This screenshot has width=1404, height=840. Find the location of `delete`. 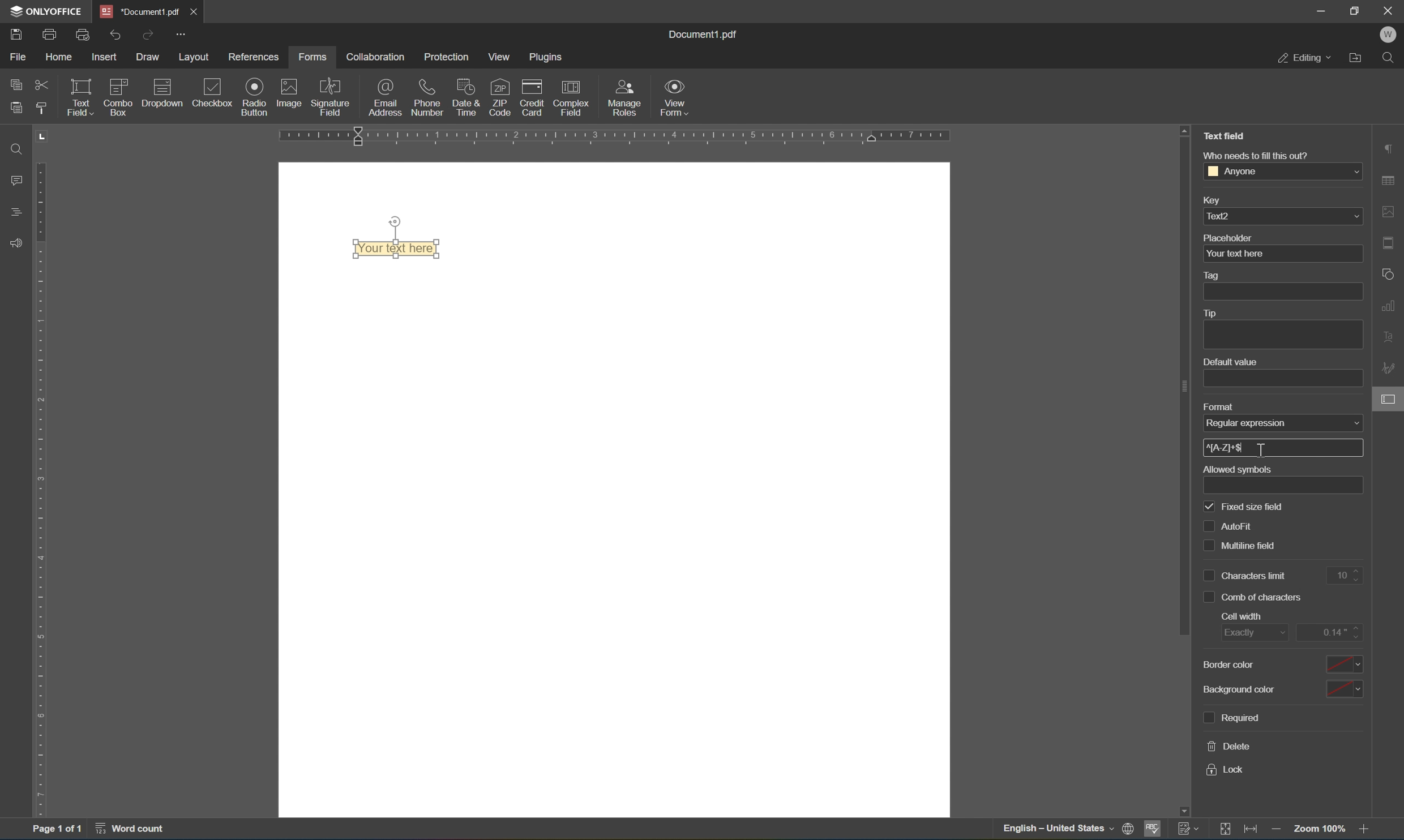

delete is located at coordinates (1228, 747).